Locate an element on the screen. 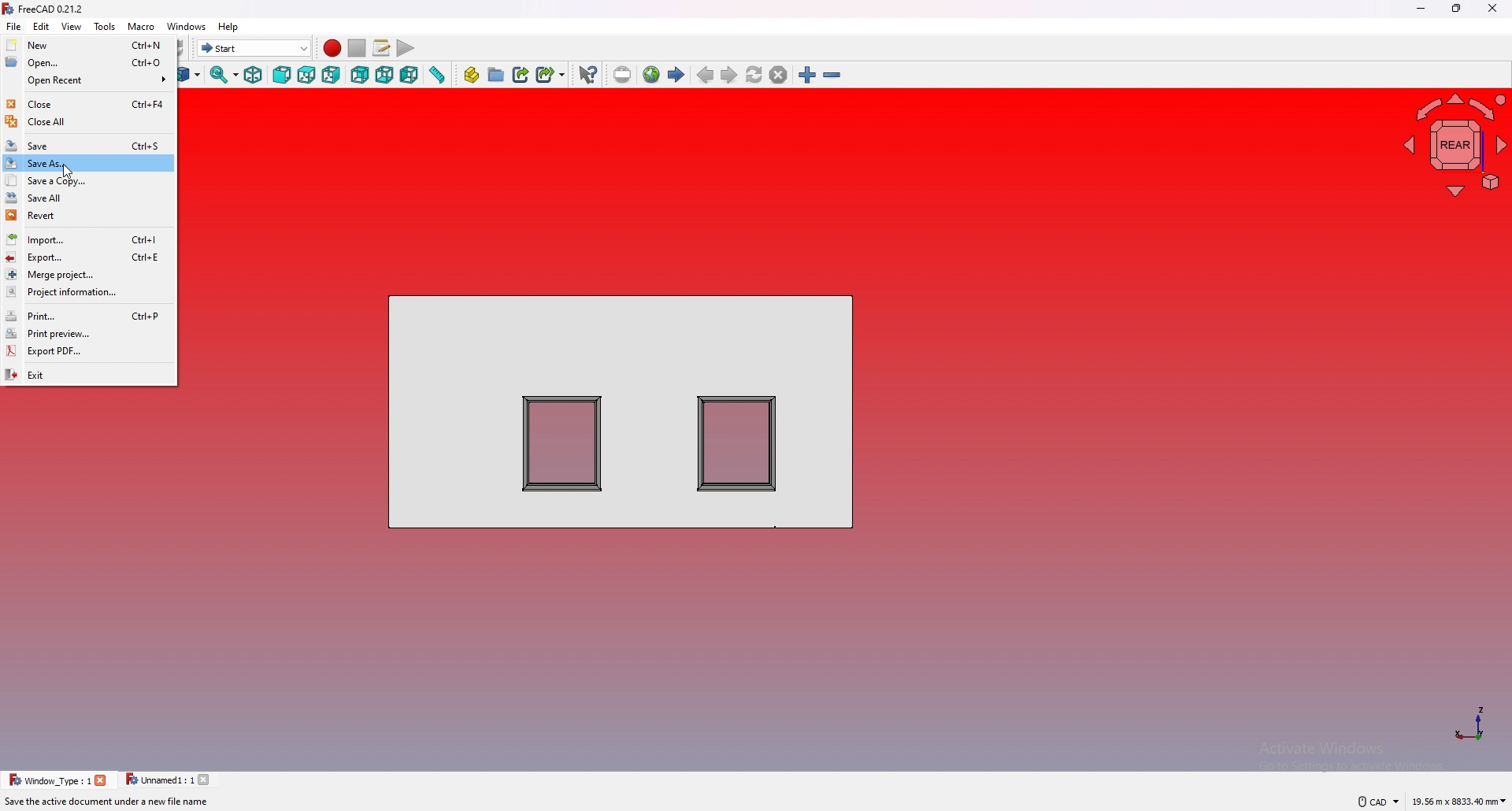  close ctrl+f4 is located at coordinates (88, 103).